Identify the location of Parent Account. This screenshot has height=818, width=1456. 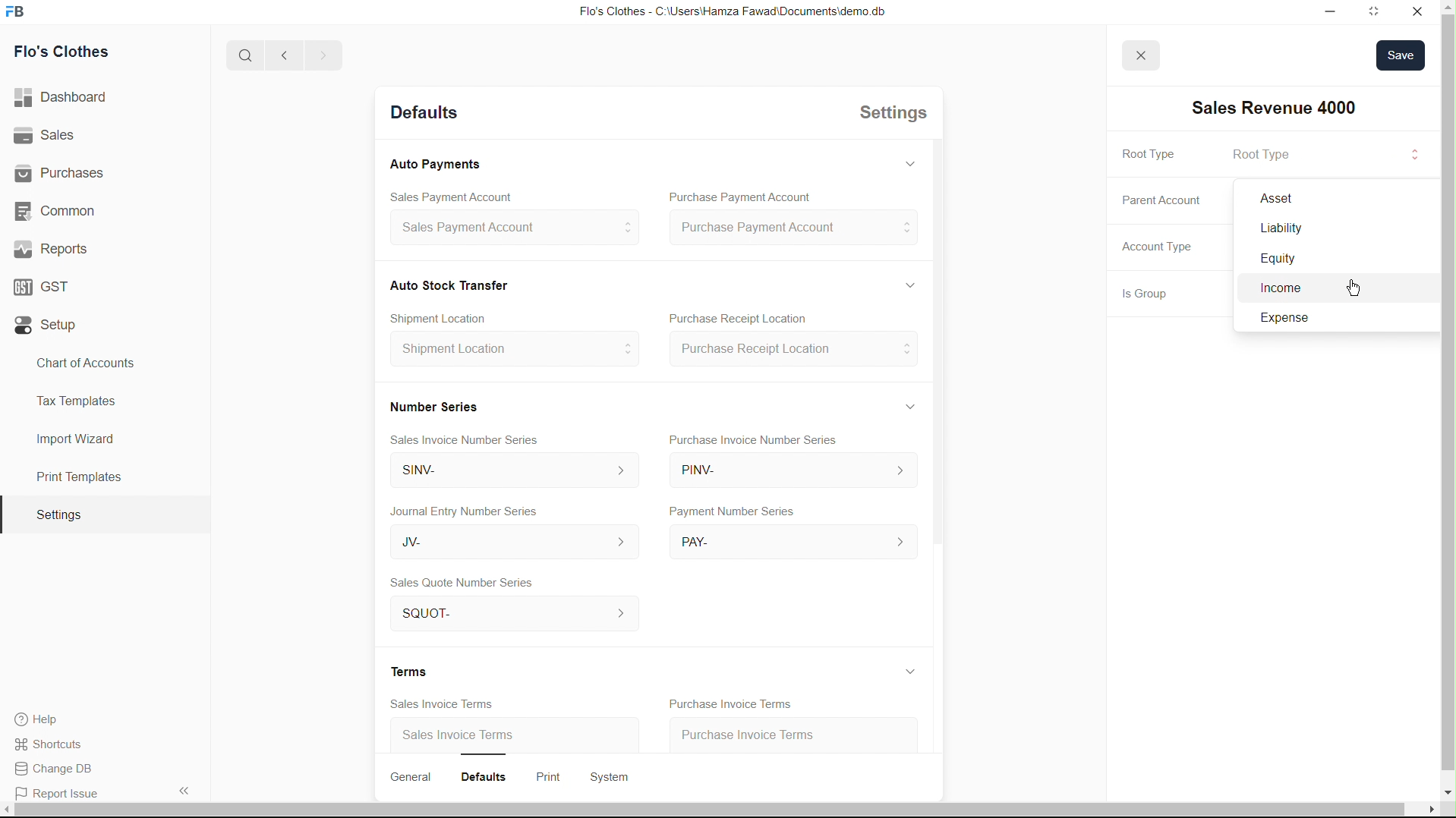
(1304, 202).